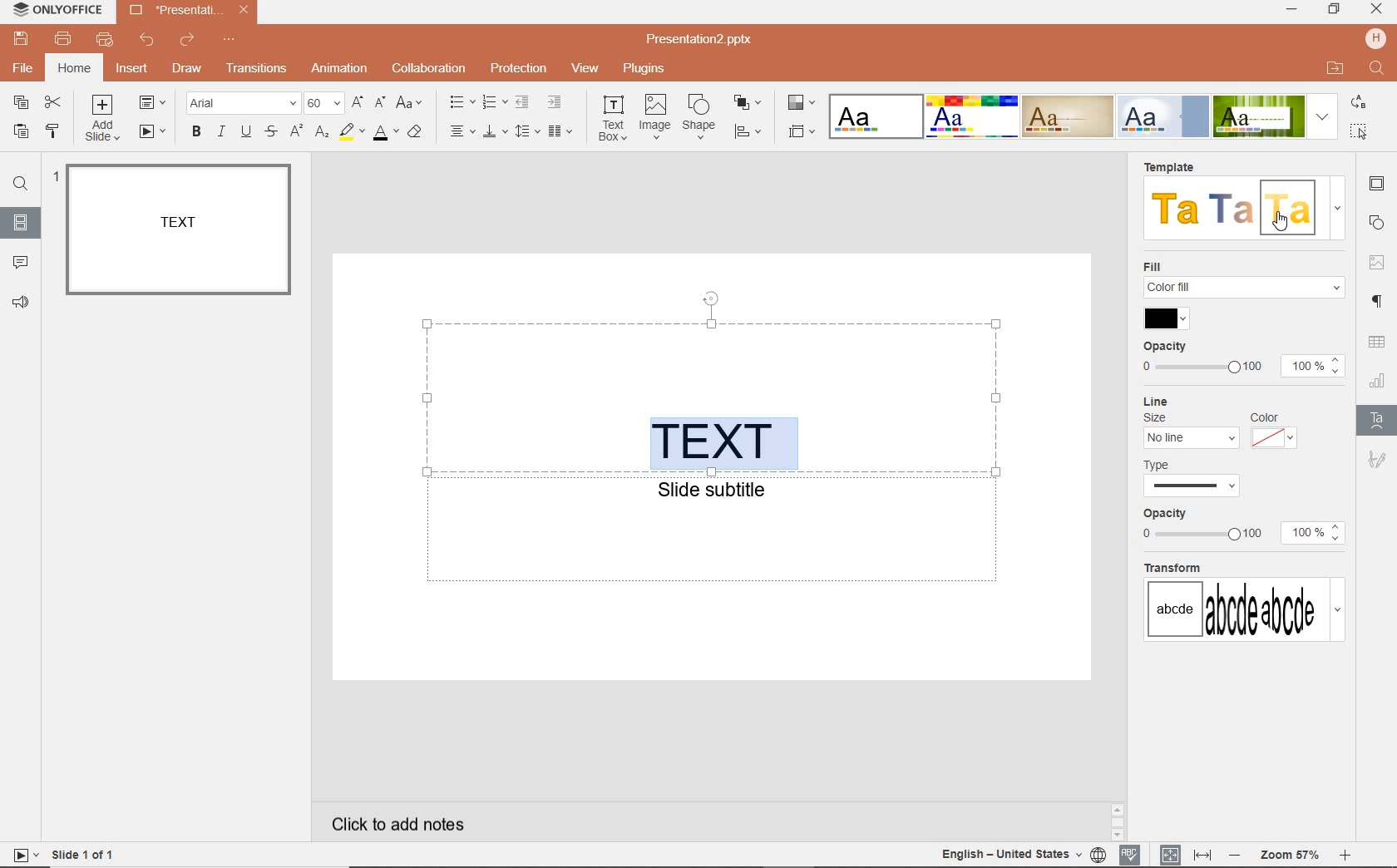  Describe the element at coordinates (753, 134) in the screenshot. I see `ALIGN SHAPE` at that location.